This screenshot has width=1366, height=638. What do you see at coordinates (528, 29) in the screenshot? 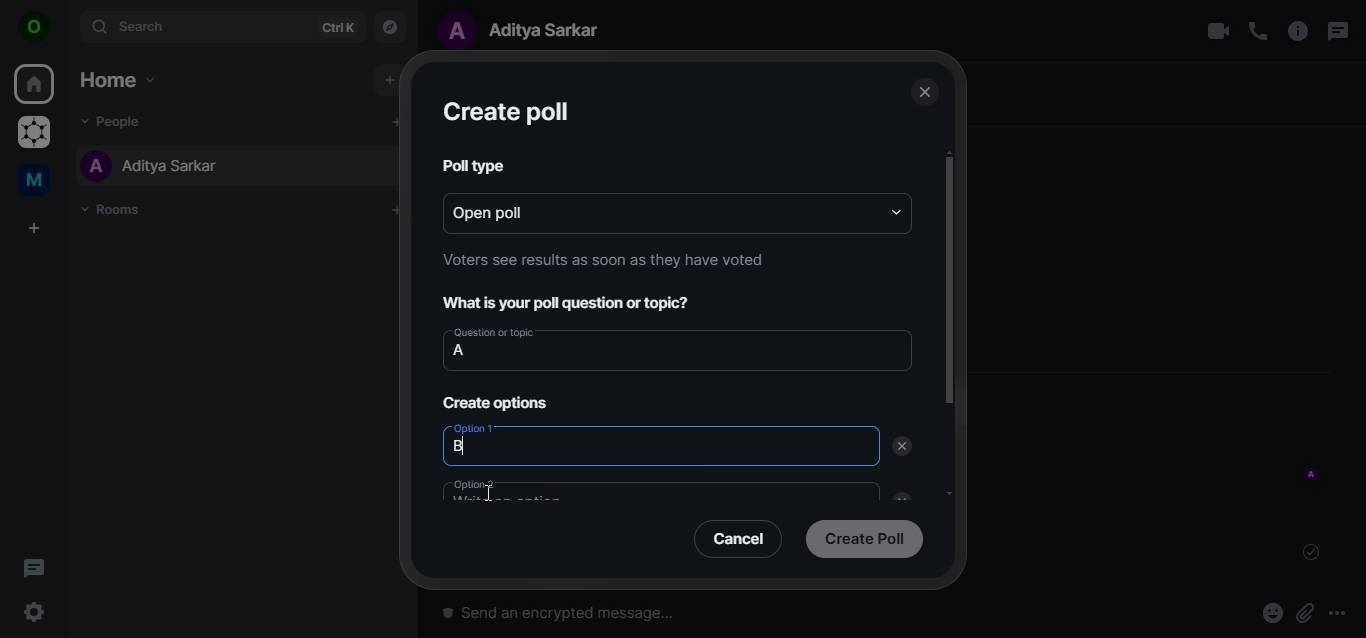
I see `aditya sarkar` at bounding box center [528, 29].